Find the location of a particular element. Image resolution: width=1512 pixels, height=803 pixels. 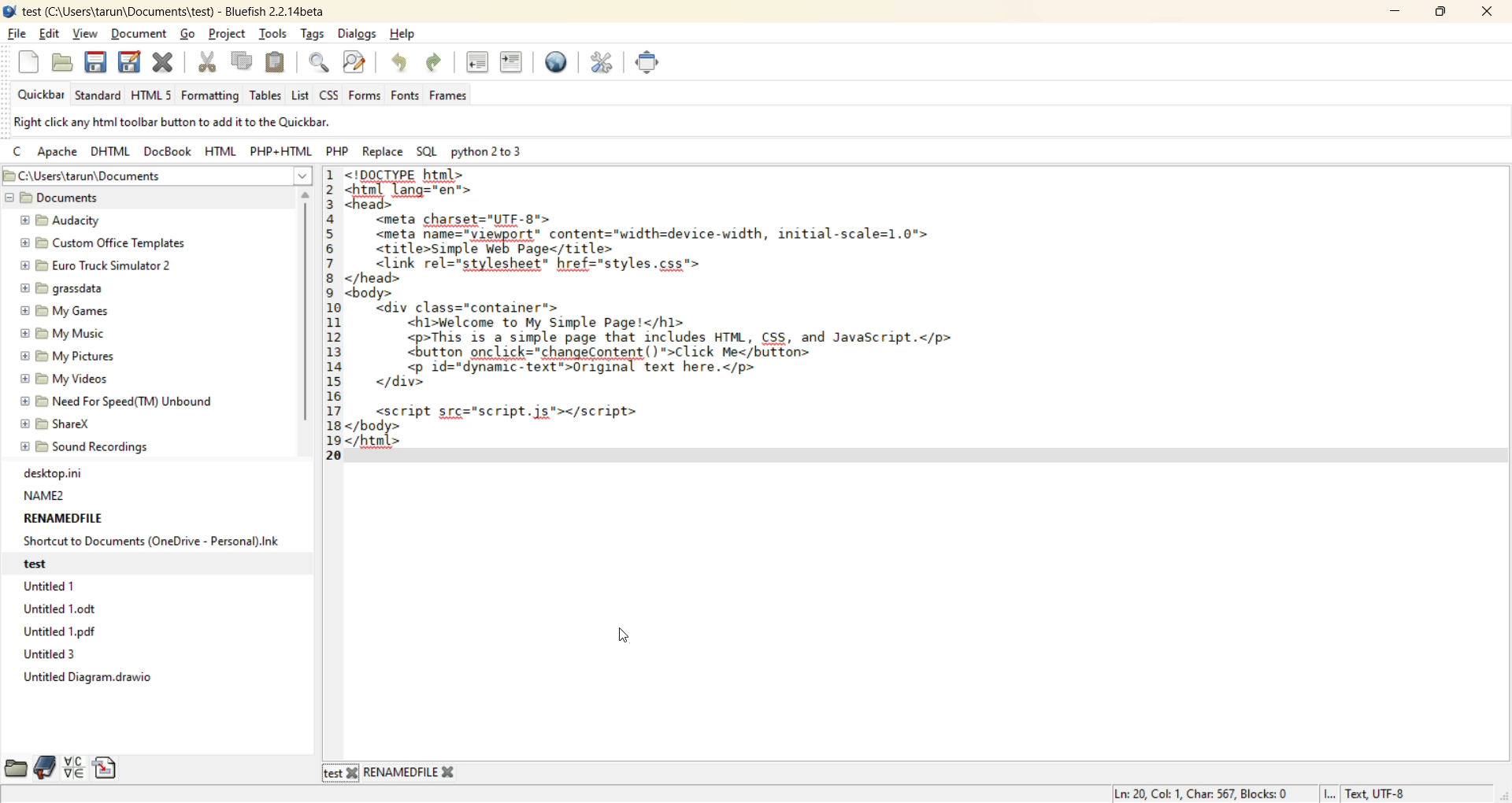

cursor is located at coordinates (626, 638).